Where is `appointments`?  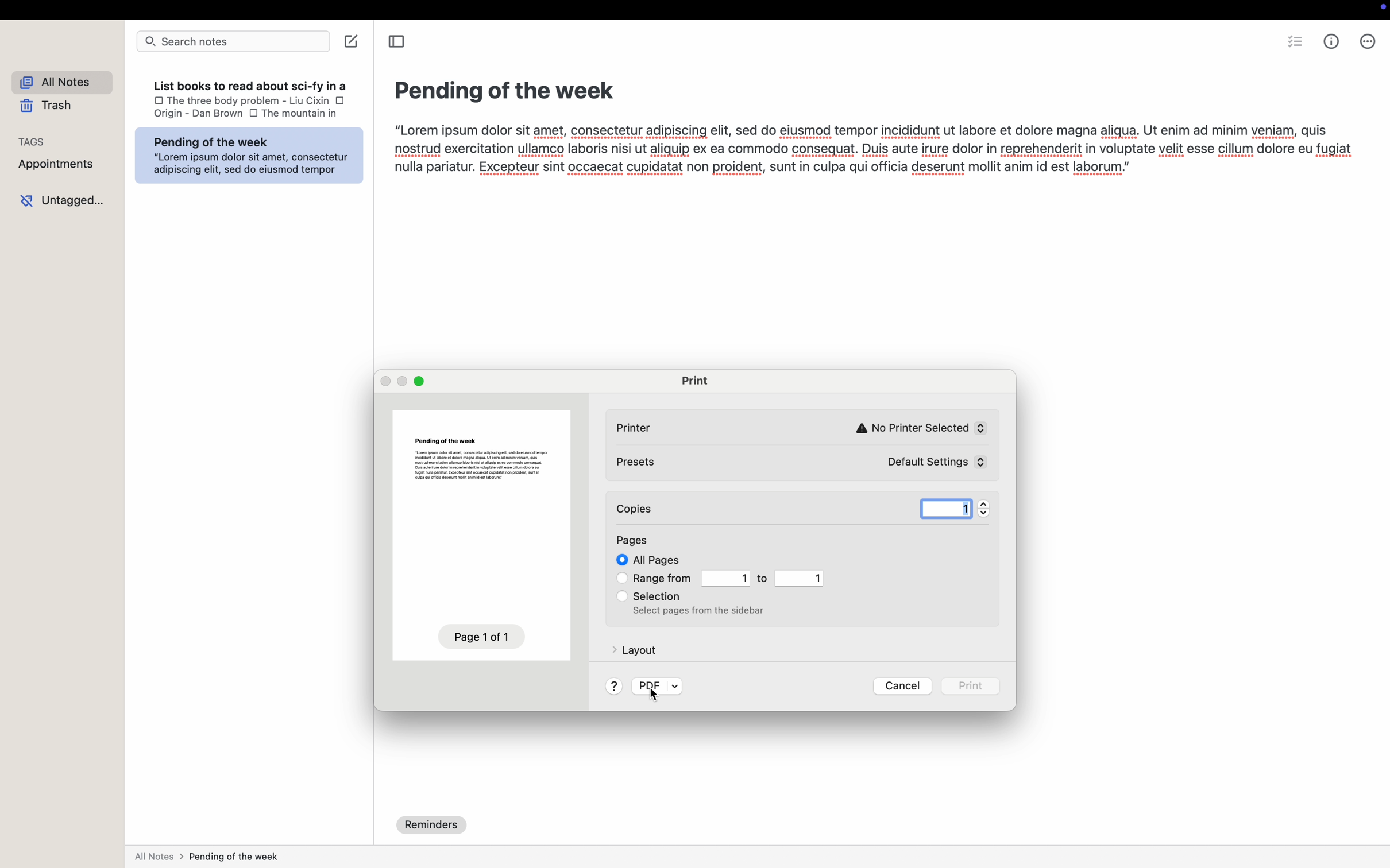 appointments is located at coordinates (57, 169).